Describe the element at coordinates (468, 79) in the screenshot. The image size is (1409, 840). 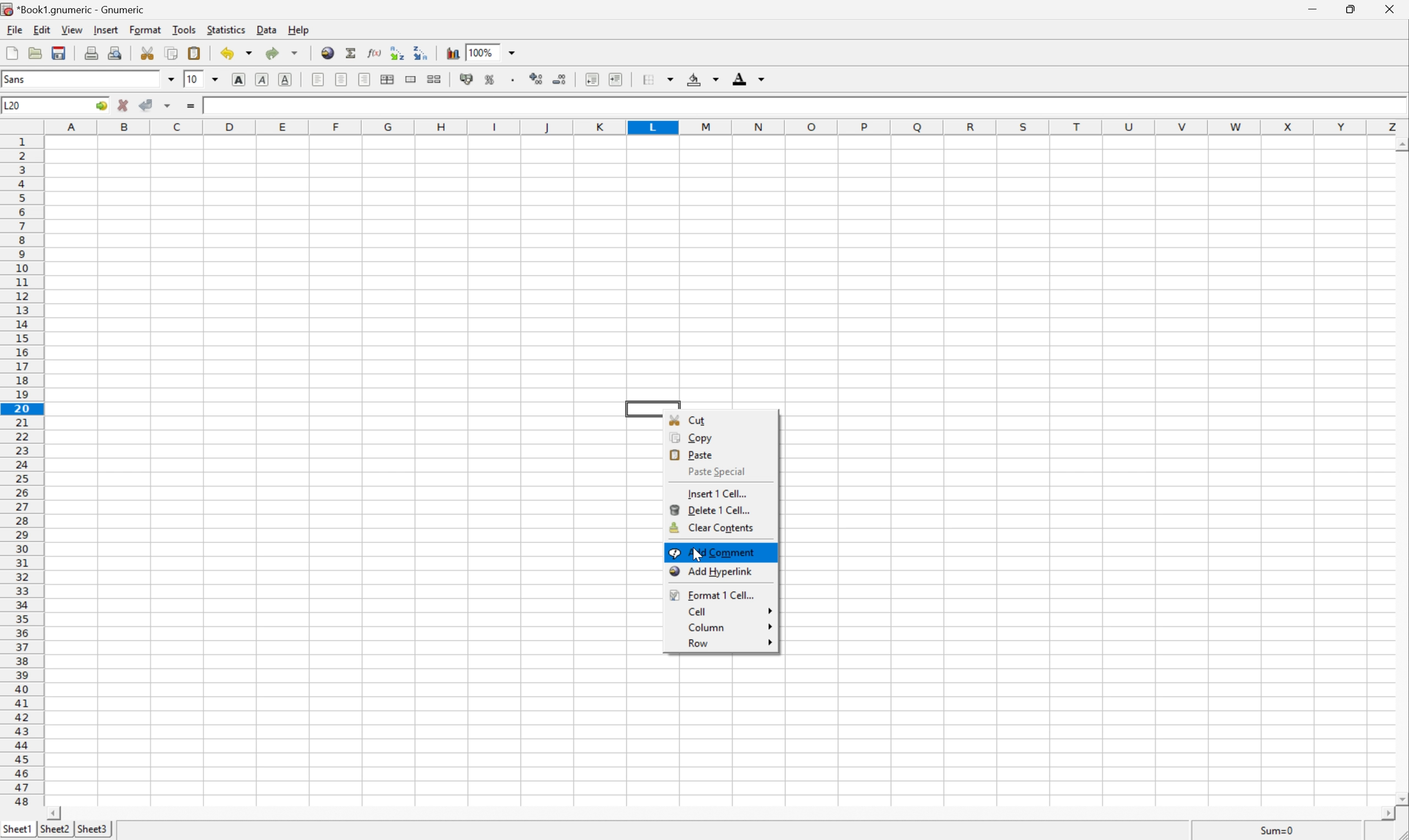
I see `Format the selection of accounting` at that location.